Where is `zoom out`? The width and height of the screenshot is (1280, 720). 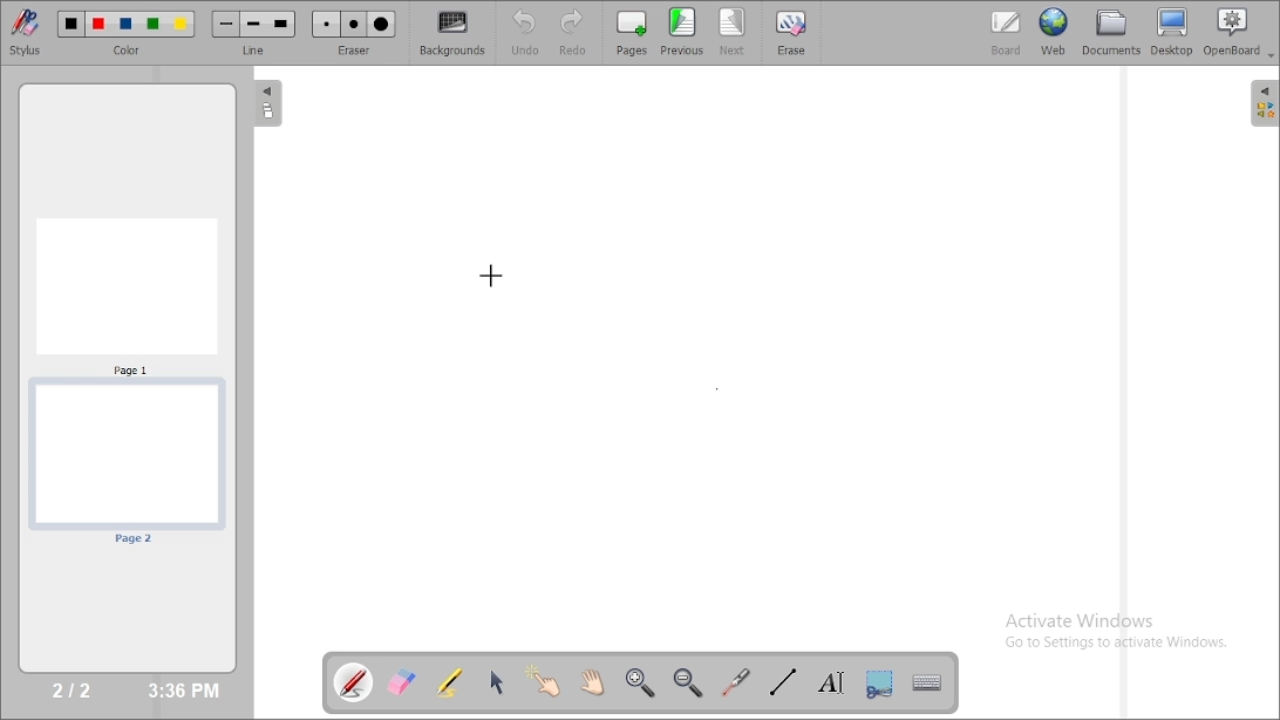
zoom out is located at coordinates (690, 683).